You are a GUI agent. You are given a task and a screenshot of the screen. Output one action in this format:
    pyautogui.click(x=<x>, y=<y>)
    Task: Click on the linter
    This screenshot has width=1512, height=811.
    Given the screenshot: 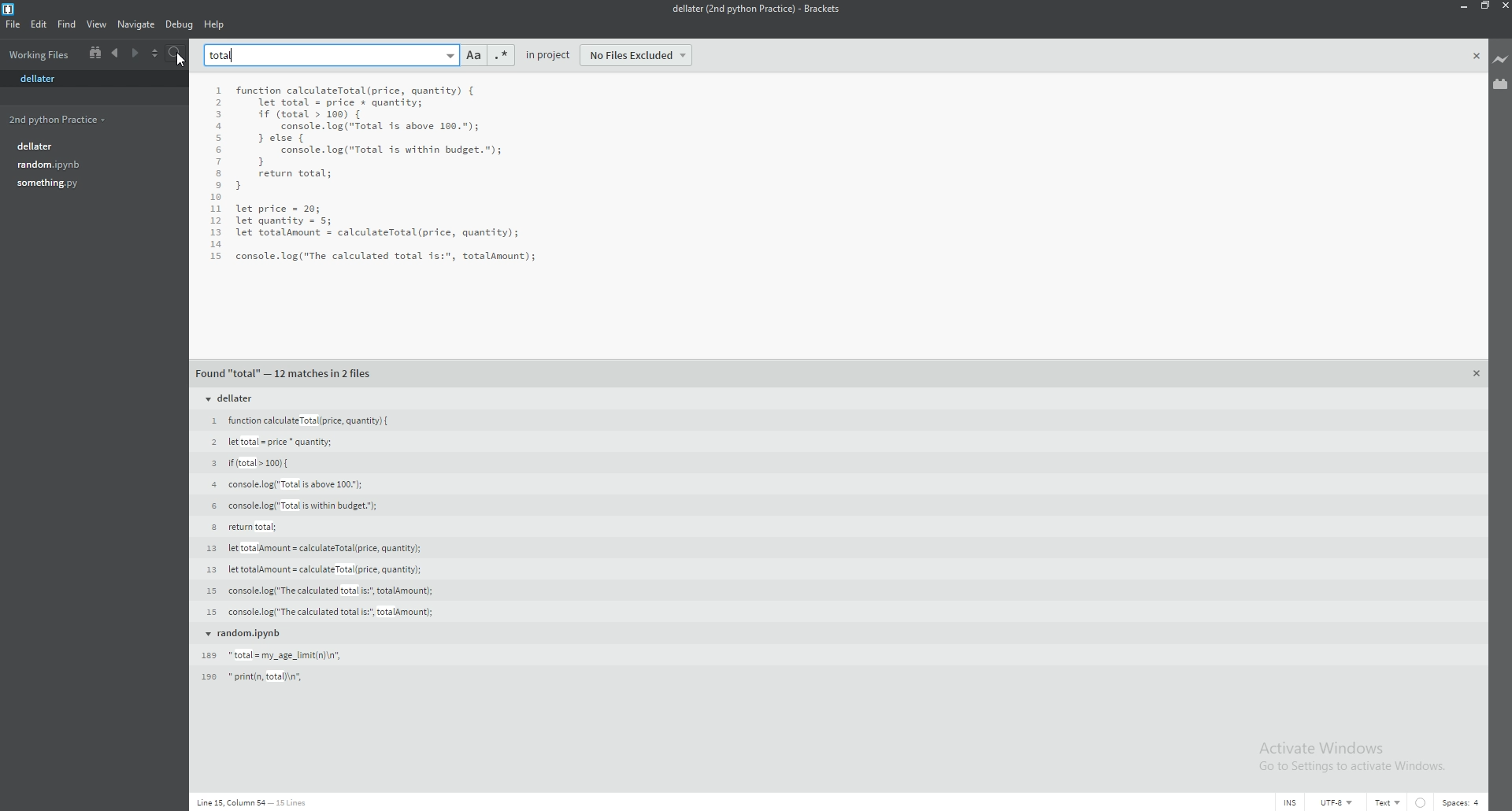 What is the action you would take?
    pyautogui.click(x=1421, y=802)
    